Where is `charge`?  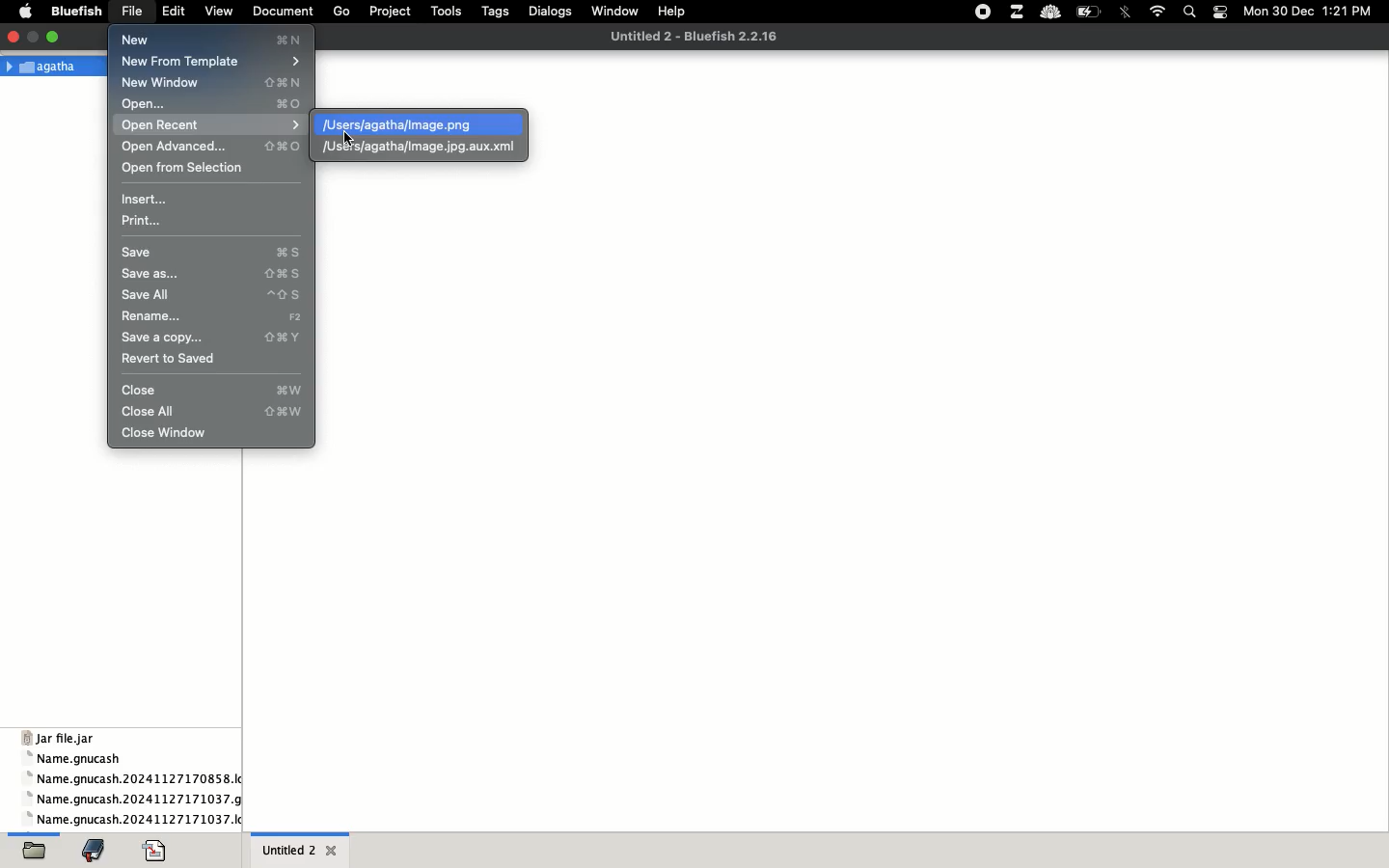 charge is located at coordinates (1090, 12).